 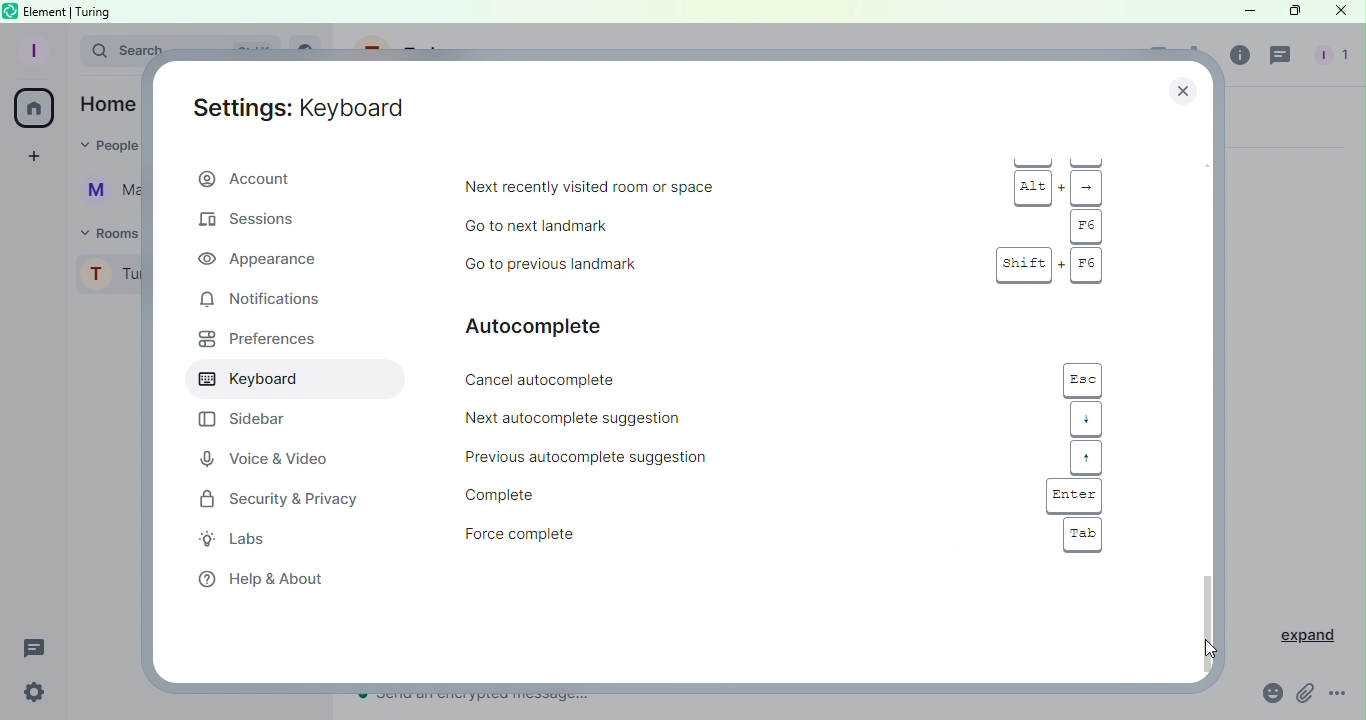 I want to click on Quick Settings, so click(x=34, y=694).